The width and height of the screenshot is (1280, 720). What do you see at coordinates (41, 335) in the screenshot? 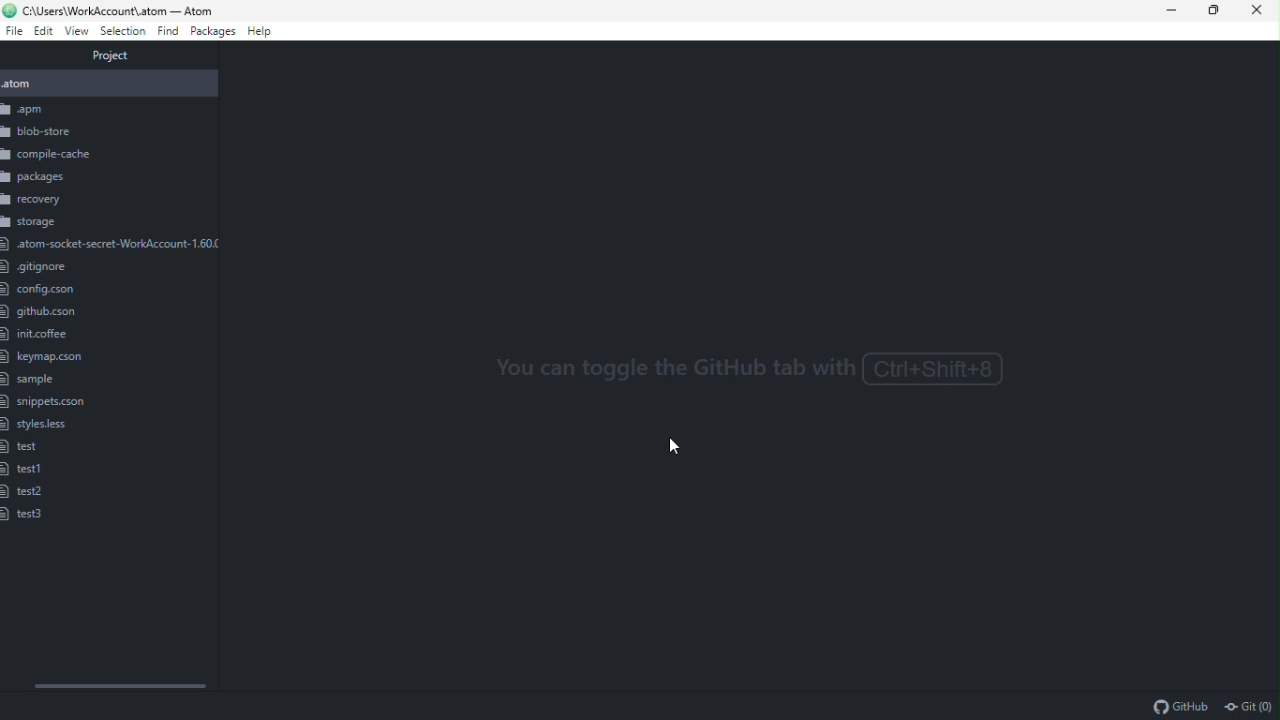
I see `init.coffee` at bounding box center [41, 335].